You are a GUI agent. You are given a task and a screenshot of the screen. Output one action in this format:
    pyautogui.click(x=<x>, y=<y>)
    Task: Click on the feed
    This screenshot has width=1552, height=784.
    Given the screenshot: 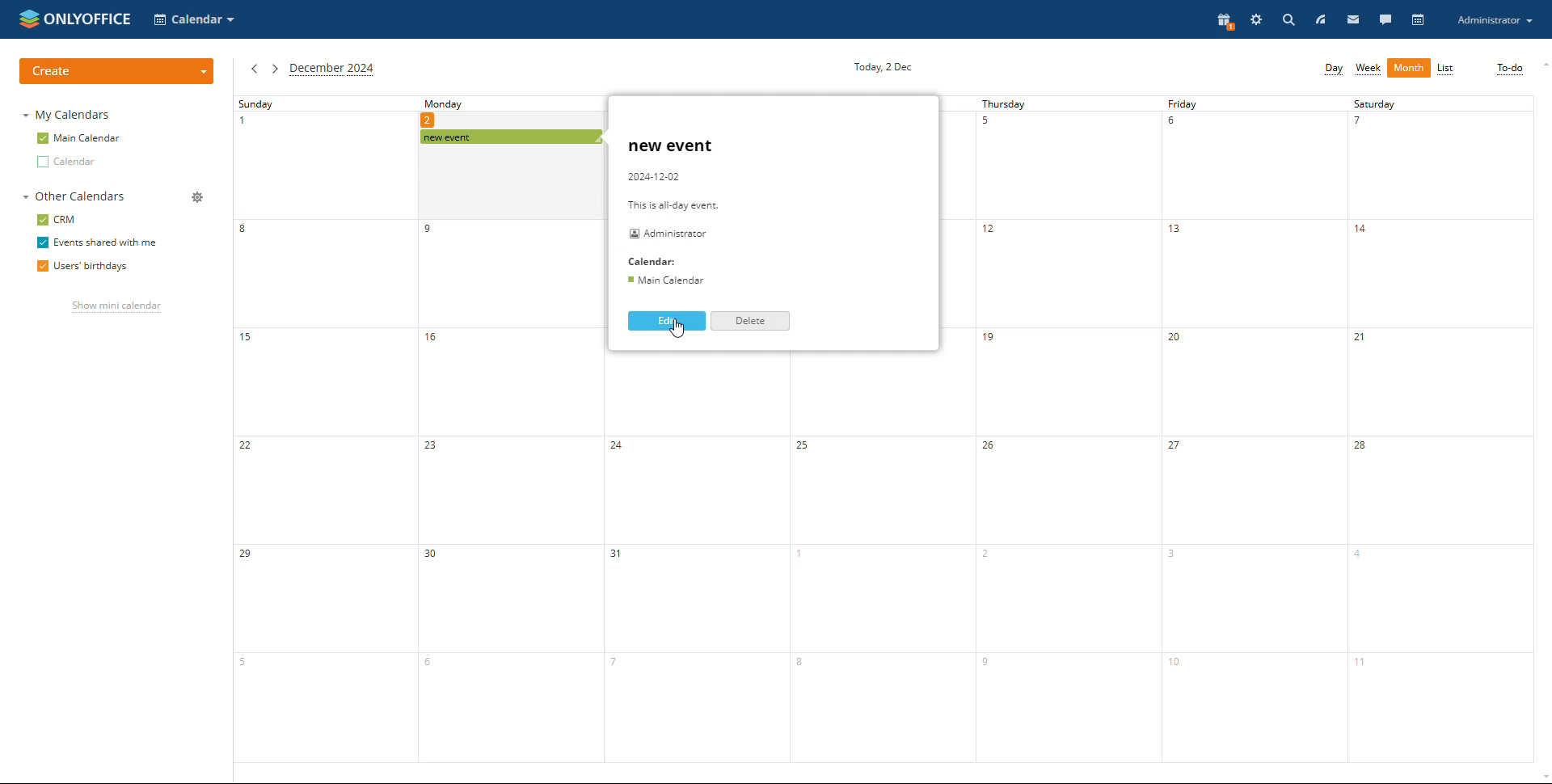 What is the action you would take?
    pyautogui.click(x=1321, y=21)
    